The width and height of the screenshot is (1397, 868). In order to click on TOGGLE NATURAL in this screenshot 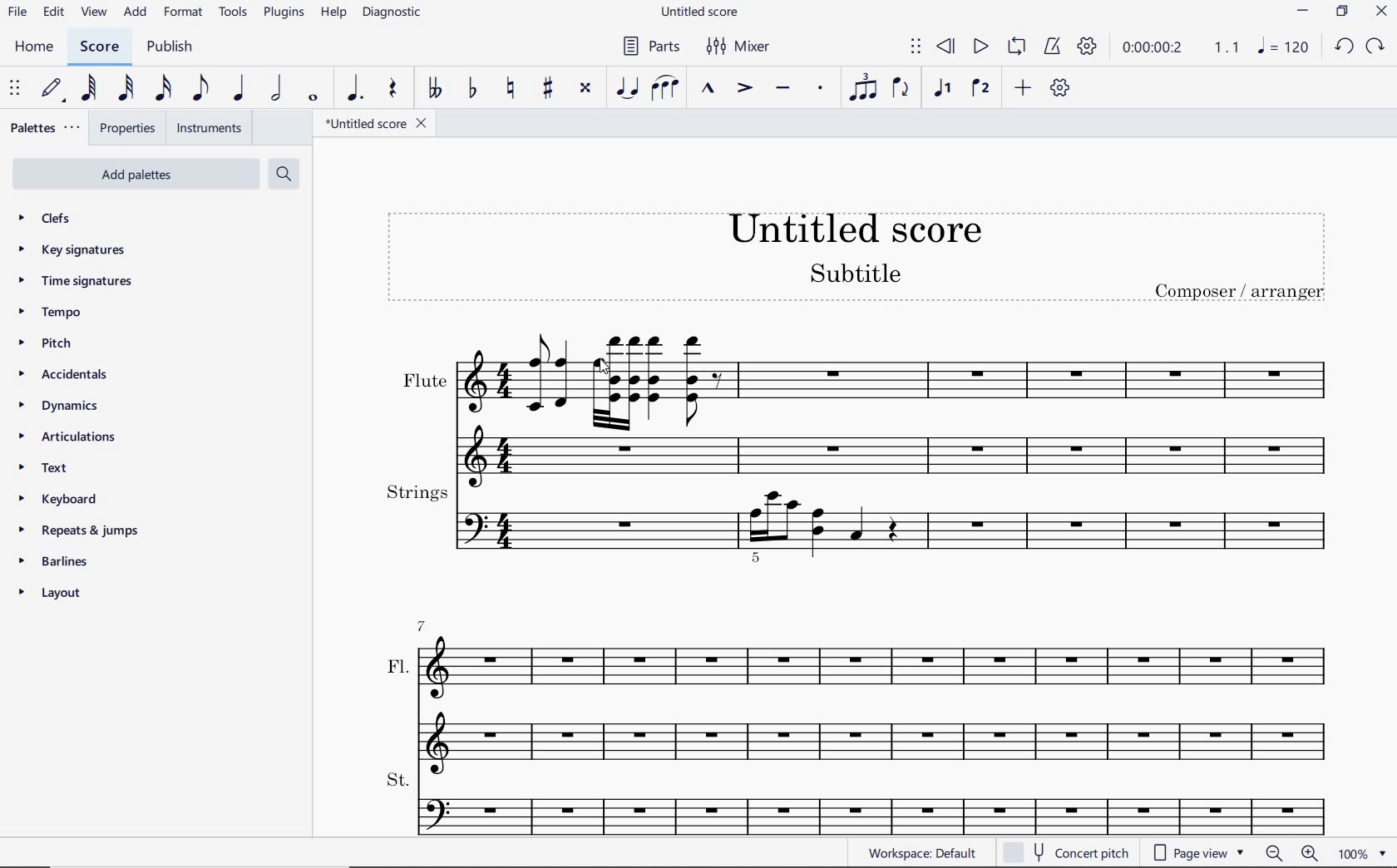, I will do `click(512, 89)`.